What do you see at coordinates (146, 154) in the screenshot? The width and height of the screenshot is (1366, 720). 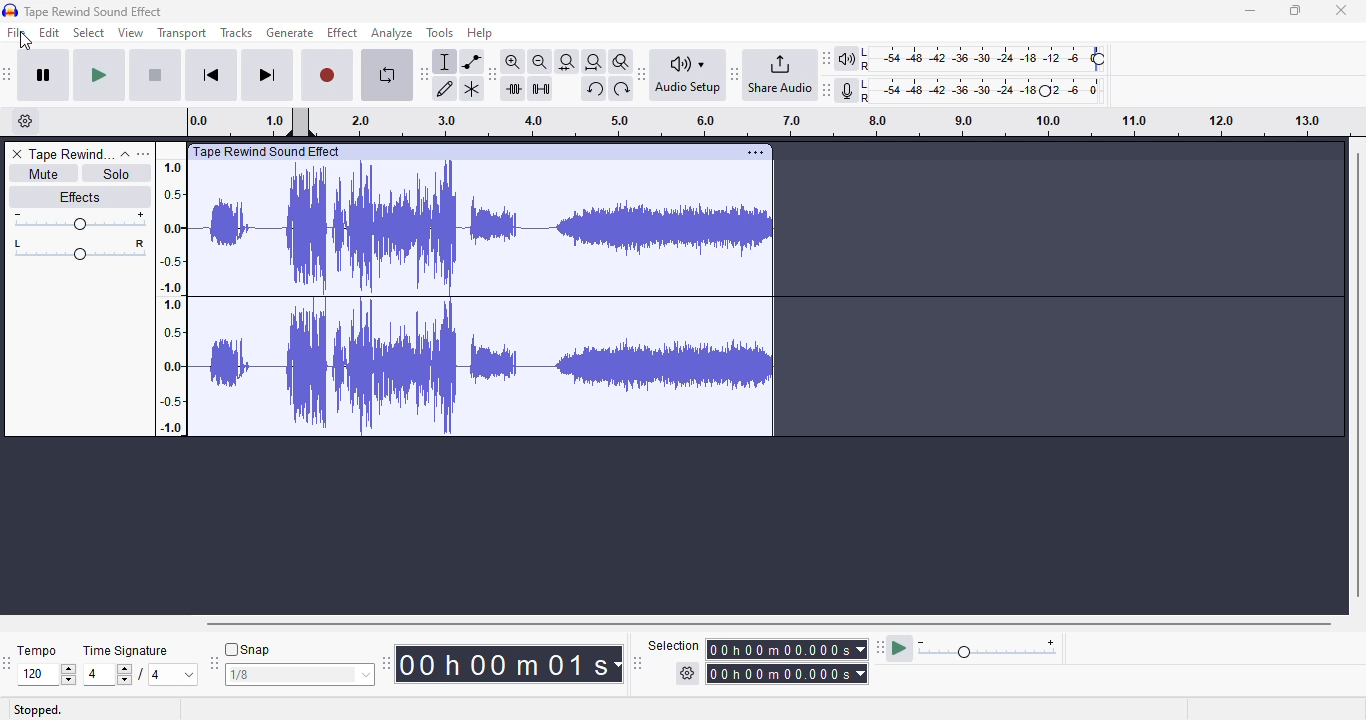 I see `open menu` at bounding box center [146, 154].